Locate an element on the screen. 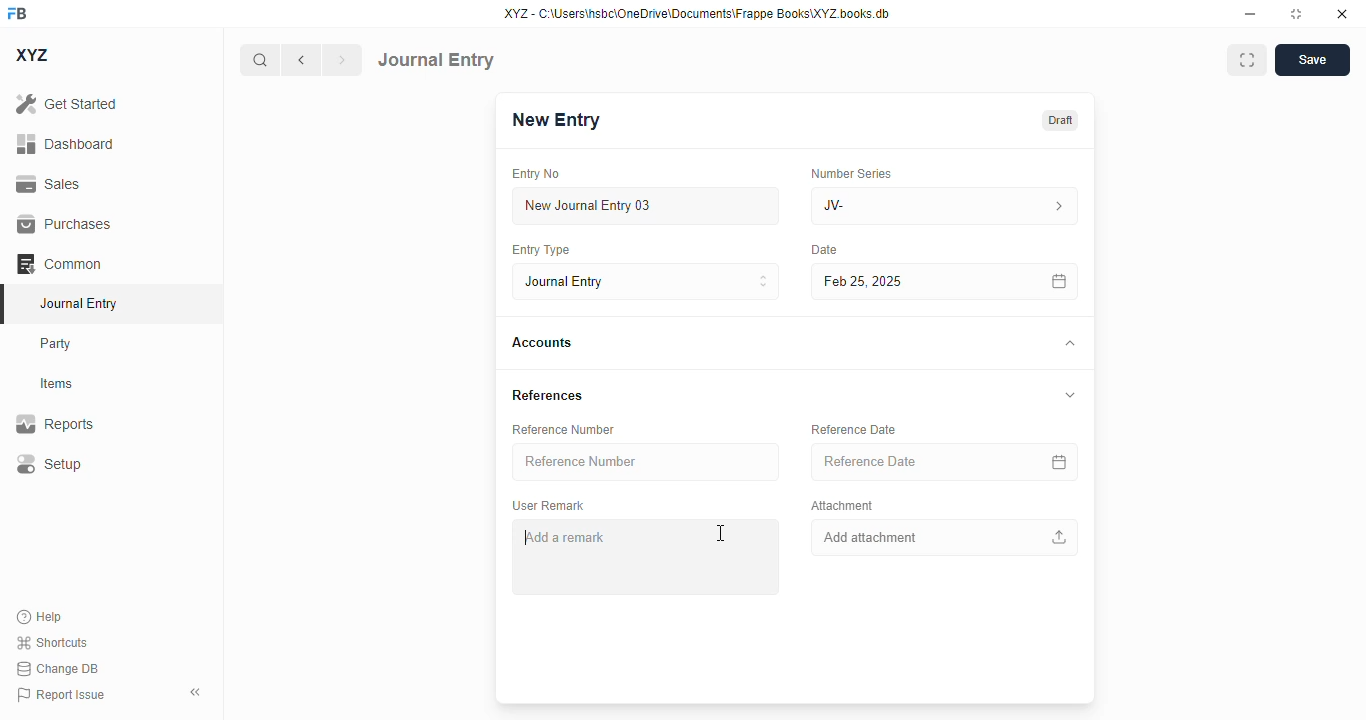 The image size is (1366, 720). calendar icon is located at coordinates (1060, 463).